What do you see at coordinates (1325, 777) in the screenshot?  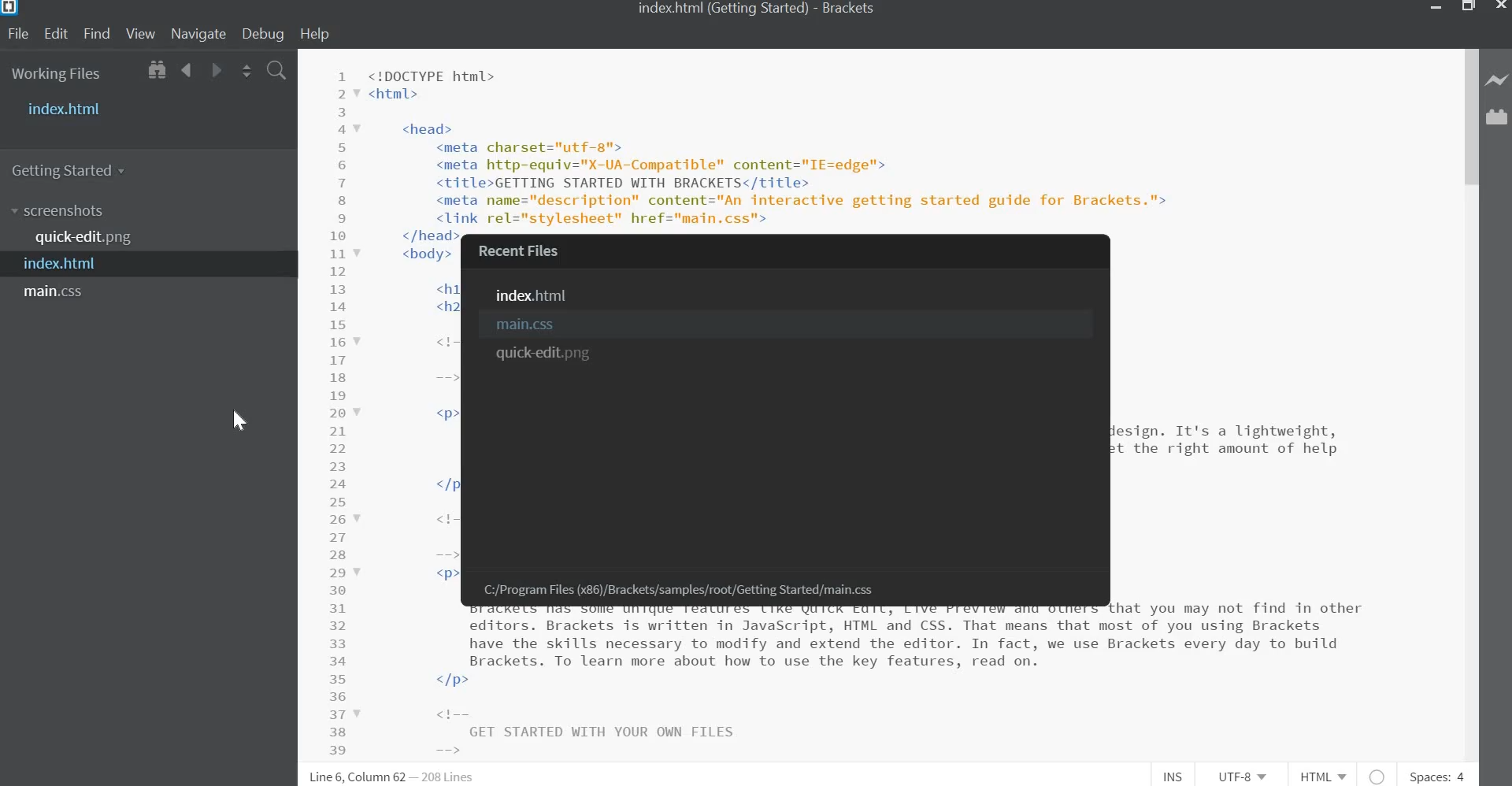 I see `HTML` at bounding box center [1325, 777].